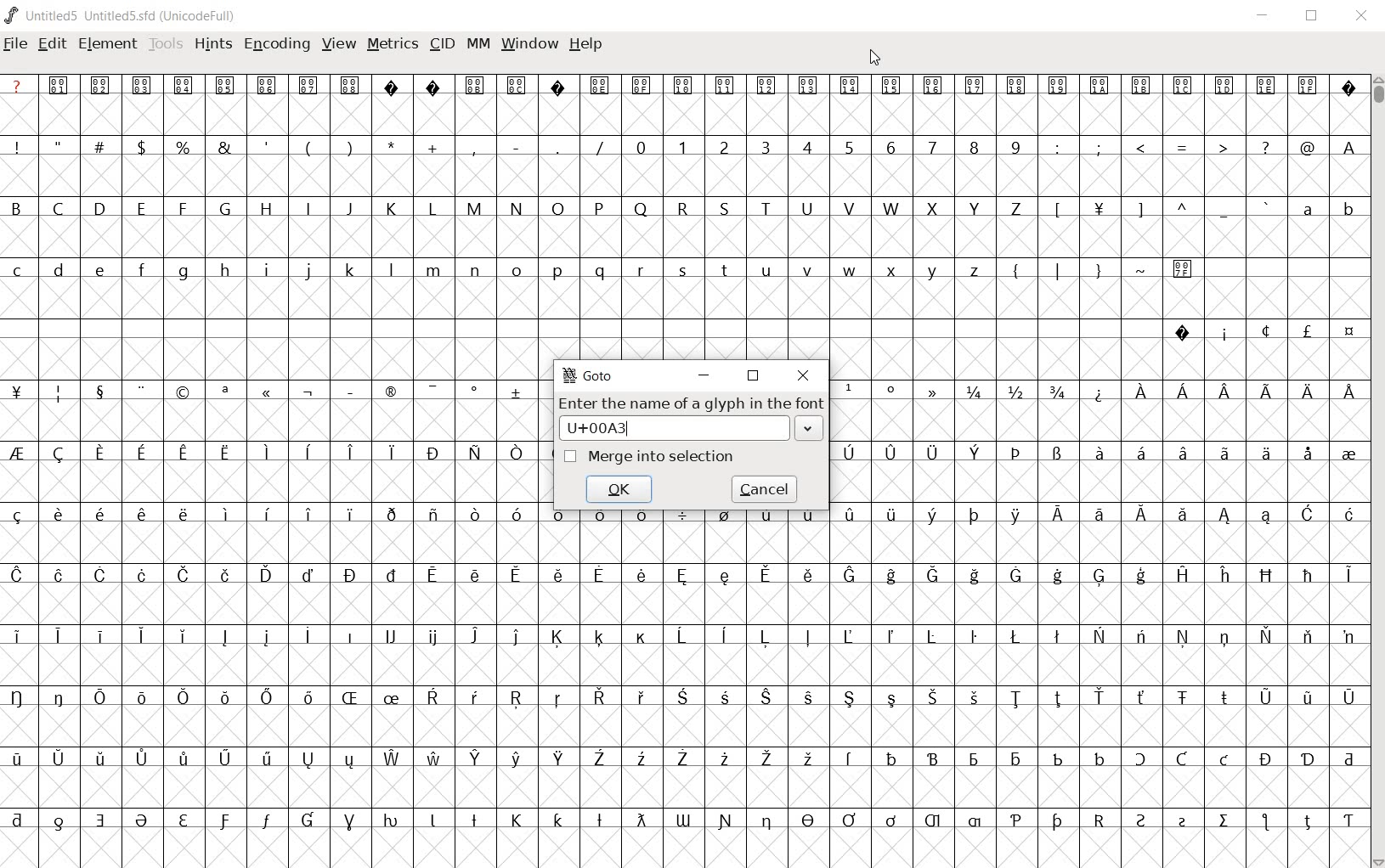 The height and width of the screenshot is (868, 1385). Describe the element at coordinates (514, 759) in the screenshot. I see `Symbol` at that location.